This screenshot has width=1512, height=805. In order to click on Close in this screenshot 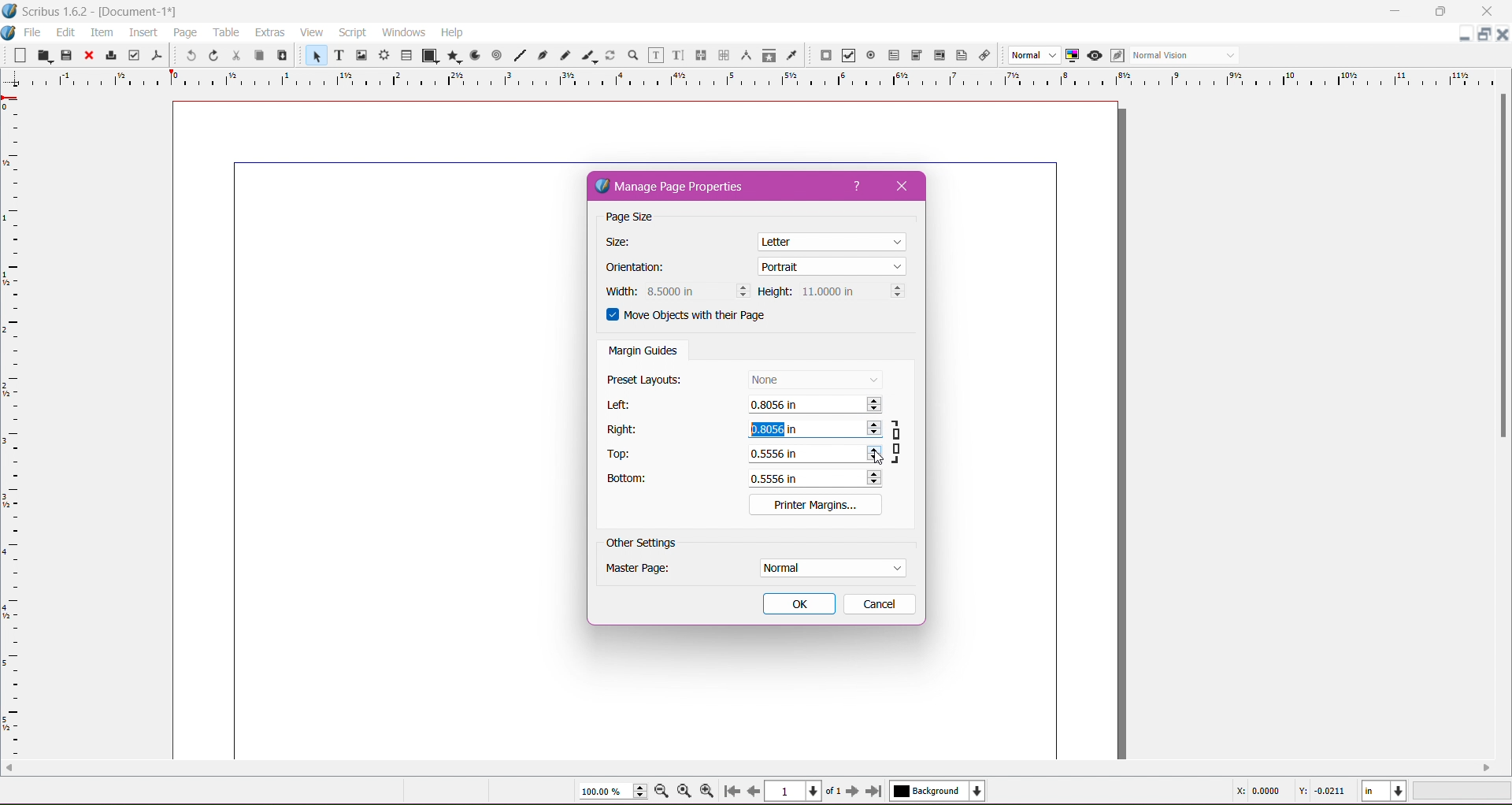, I will do `click(907, 186)`.